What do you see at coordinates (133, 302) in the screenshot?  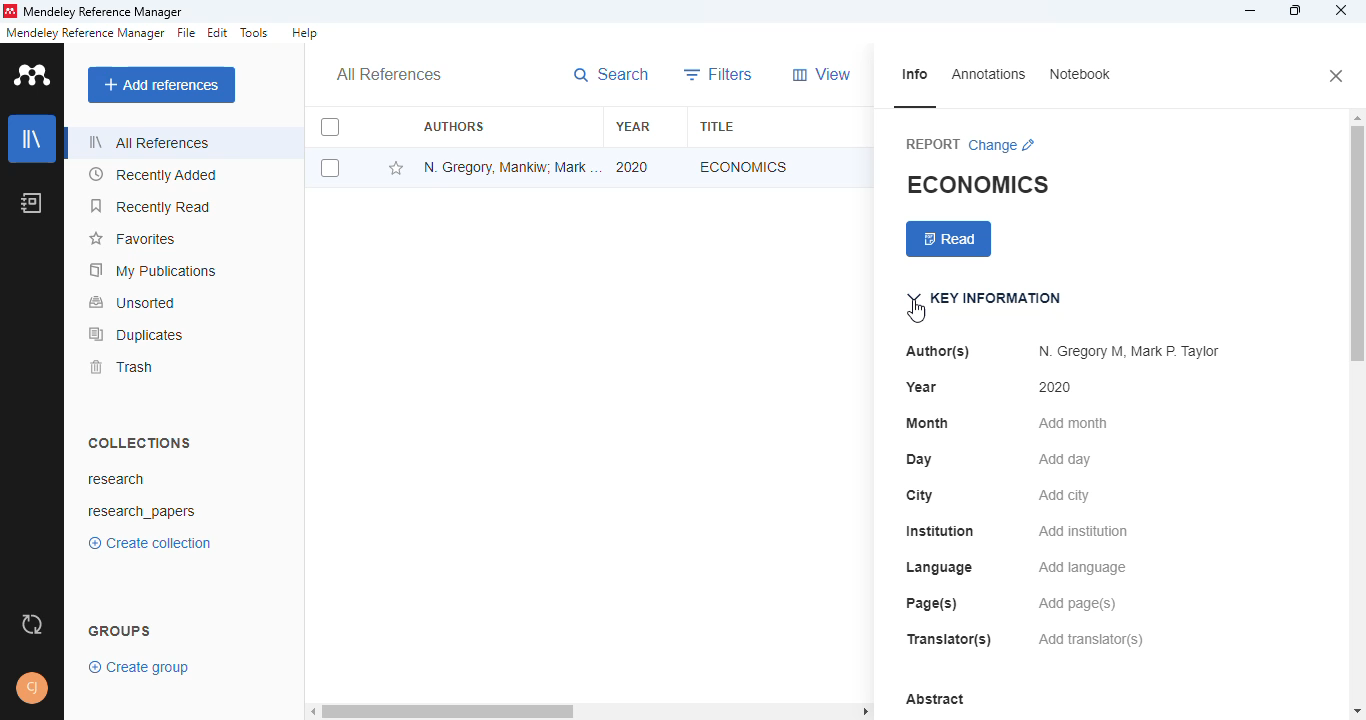 I see `unsorted` at bounding box center [133, 302].